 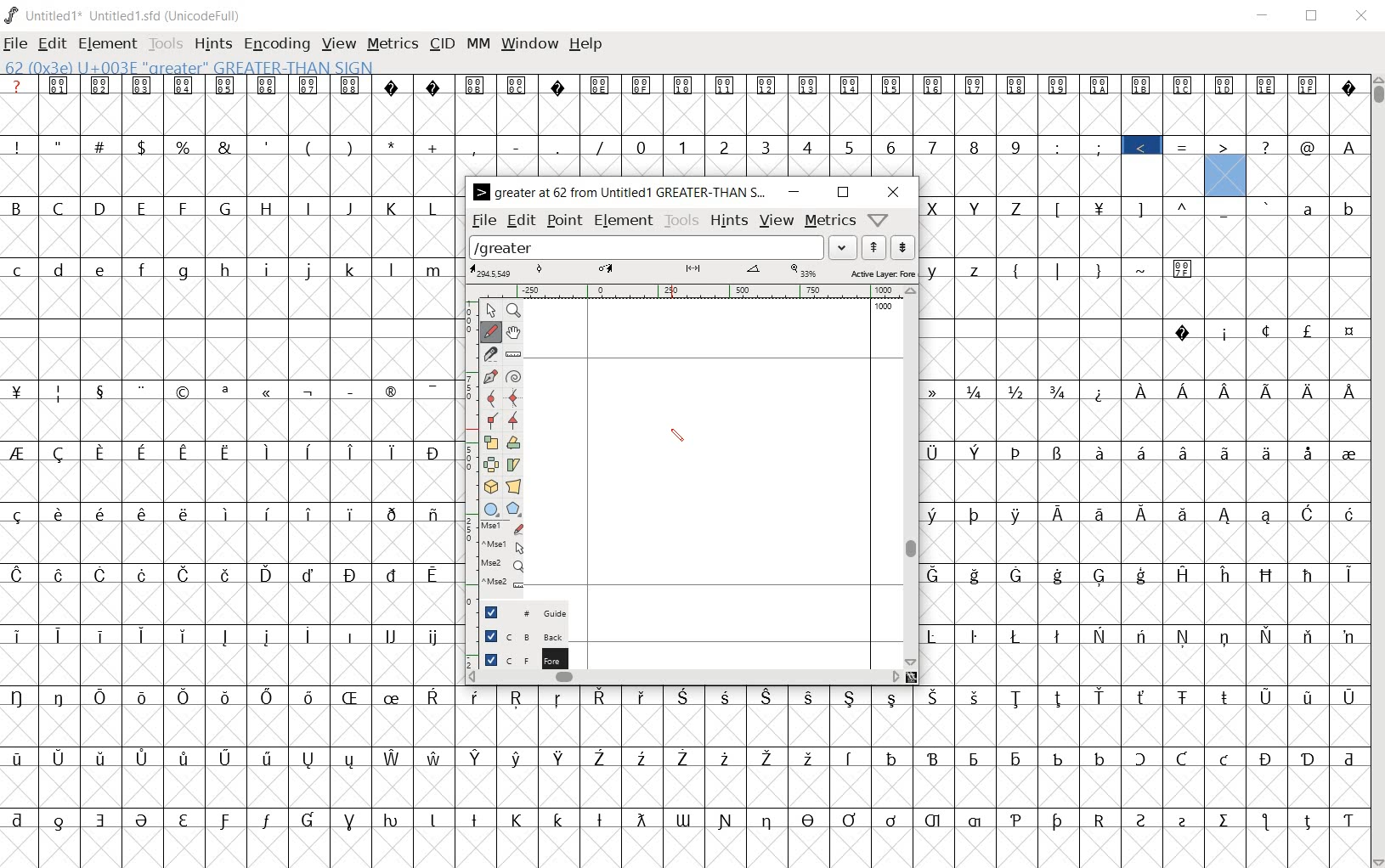 I want to click on show the previous word on the list, so click(x=903, y=247).